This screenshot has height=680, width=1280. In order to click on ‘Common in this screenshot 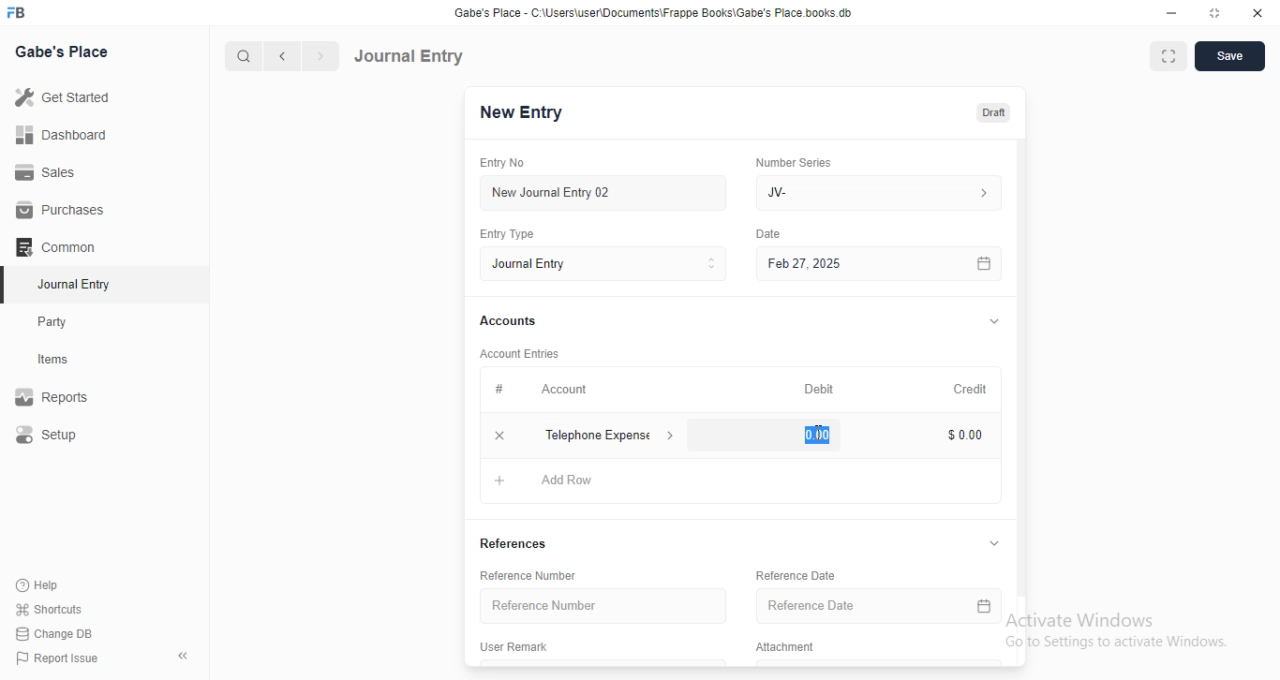, I will do `click(57, 246)`.